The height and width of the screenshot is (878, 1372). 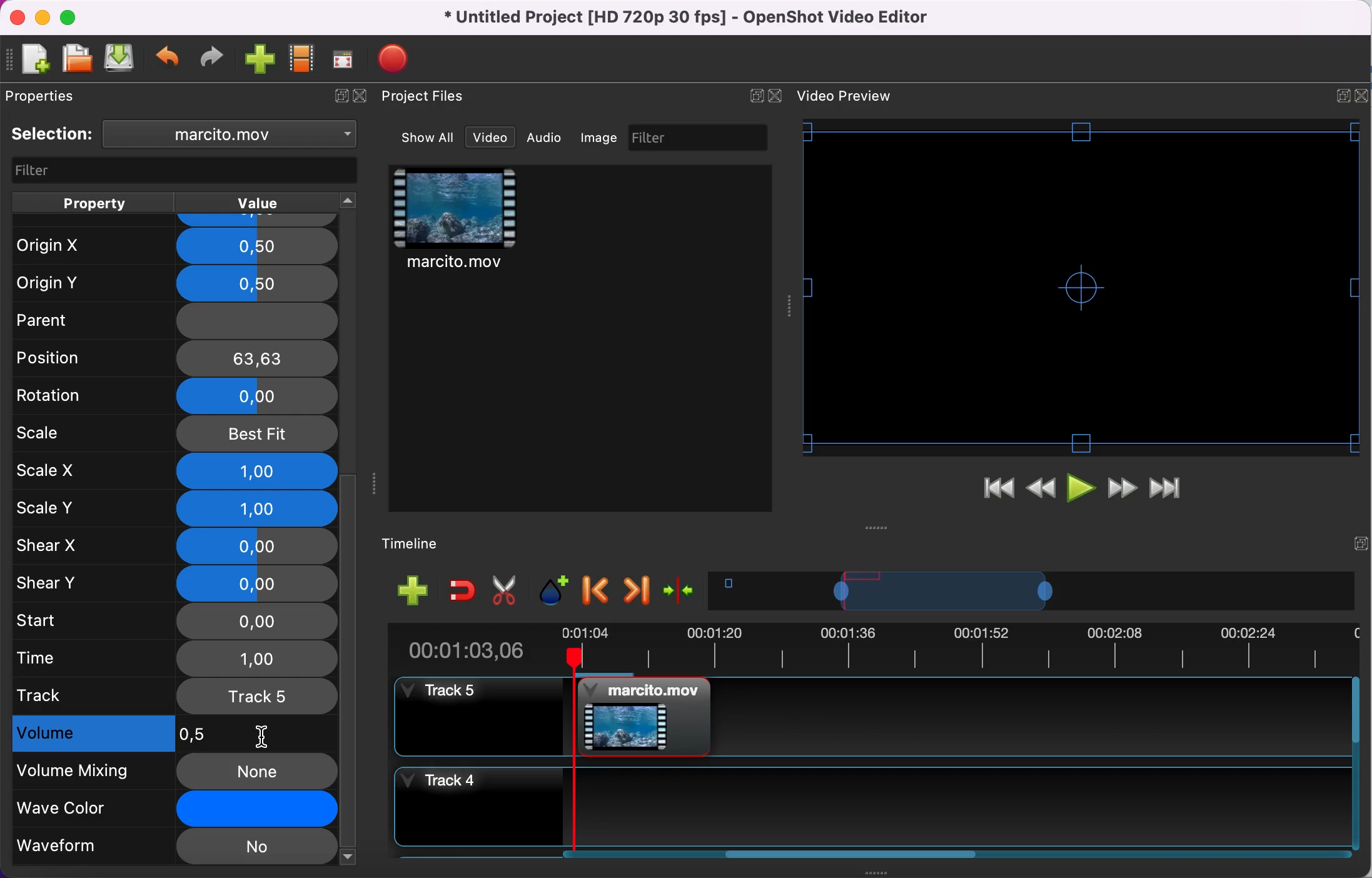 I want to click on Origin X, so click(x=174, y=246).